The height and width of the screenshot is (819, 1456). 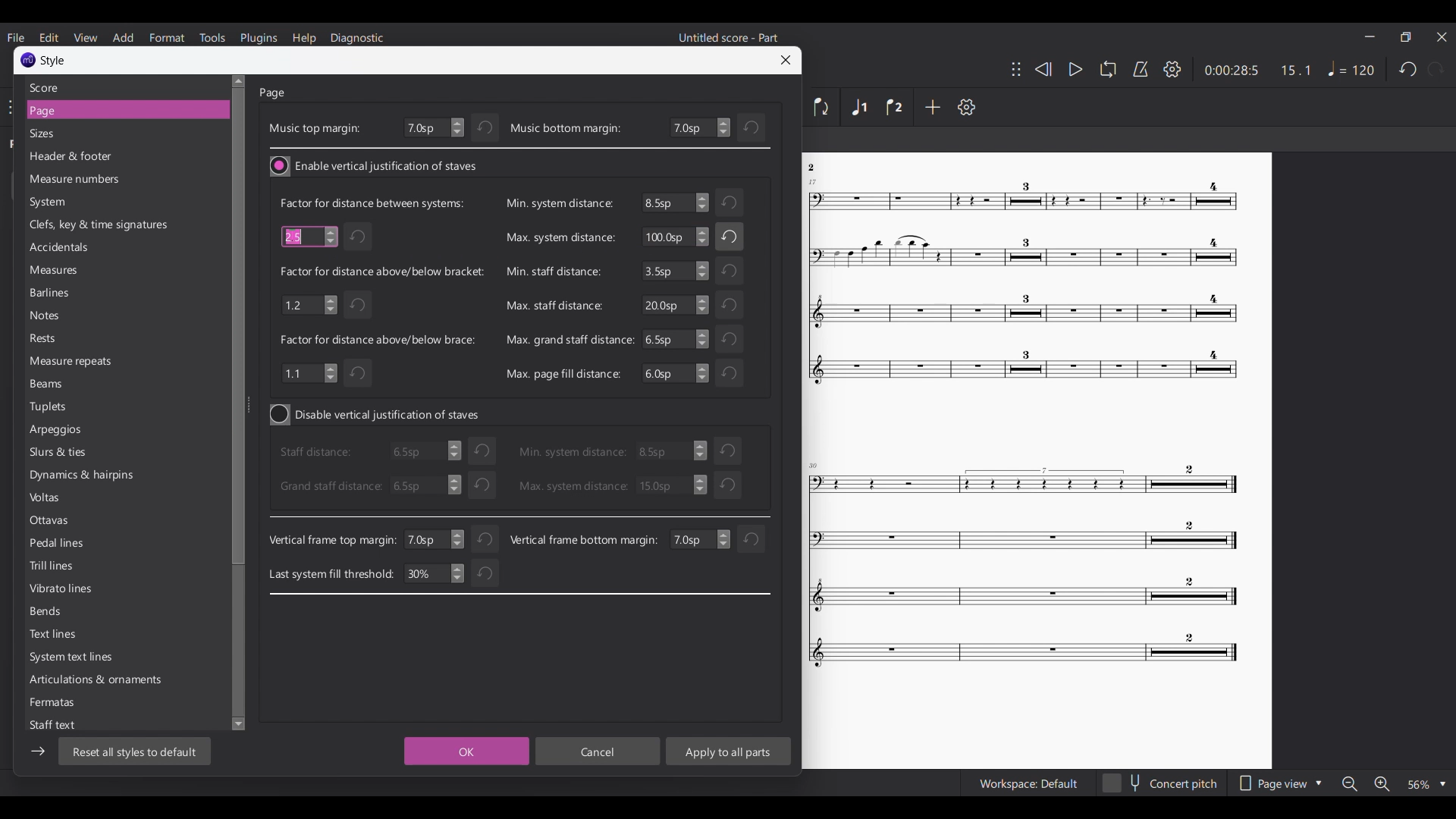 I want to click on Cancel, so click(x=598, y=752).